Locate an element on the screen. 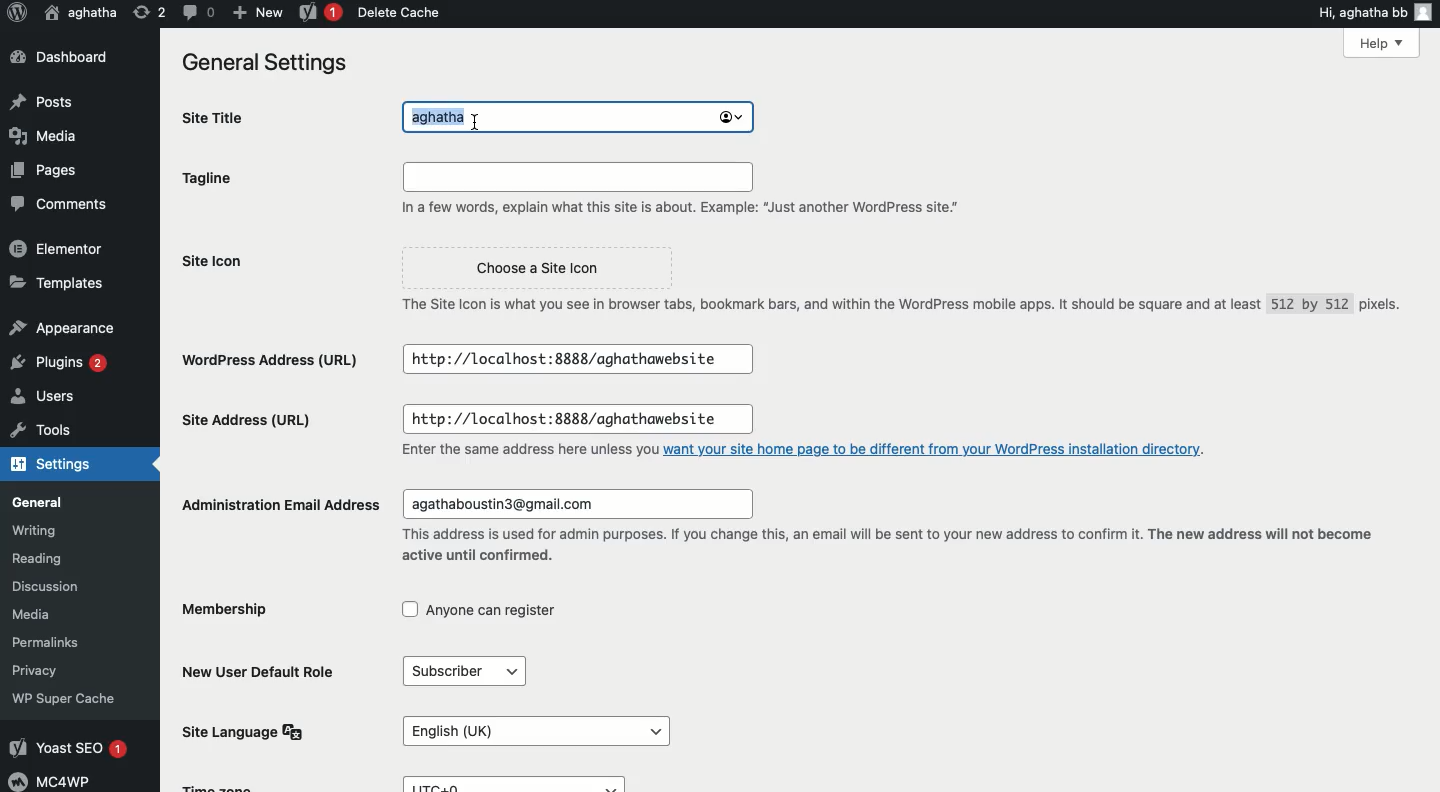 The width and height of the screenshot is (1440, 792). Comments is located at coordinates (55, 205).